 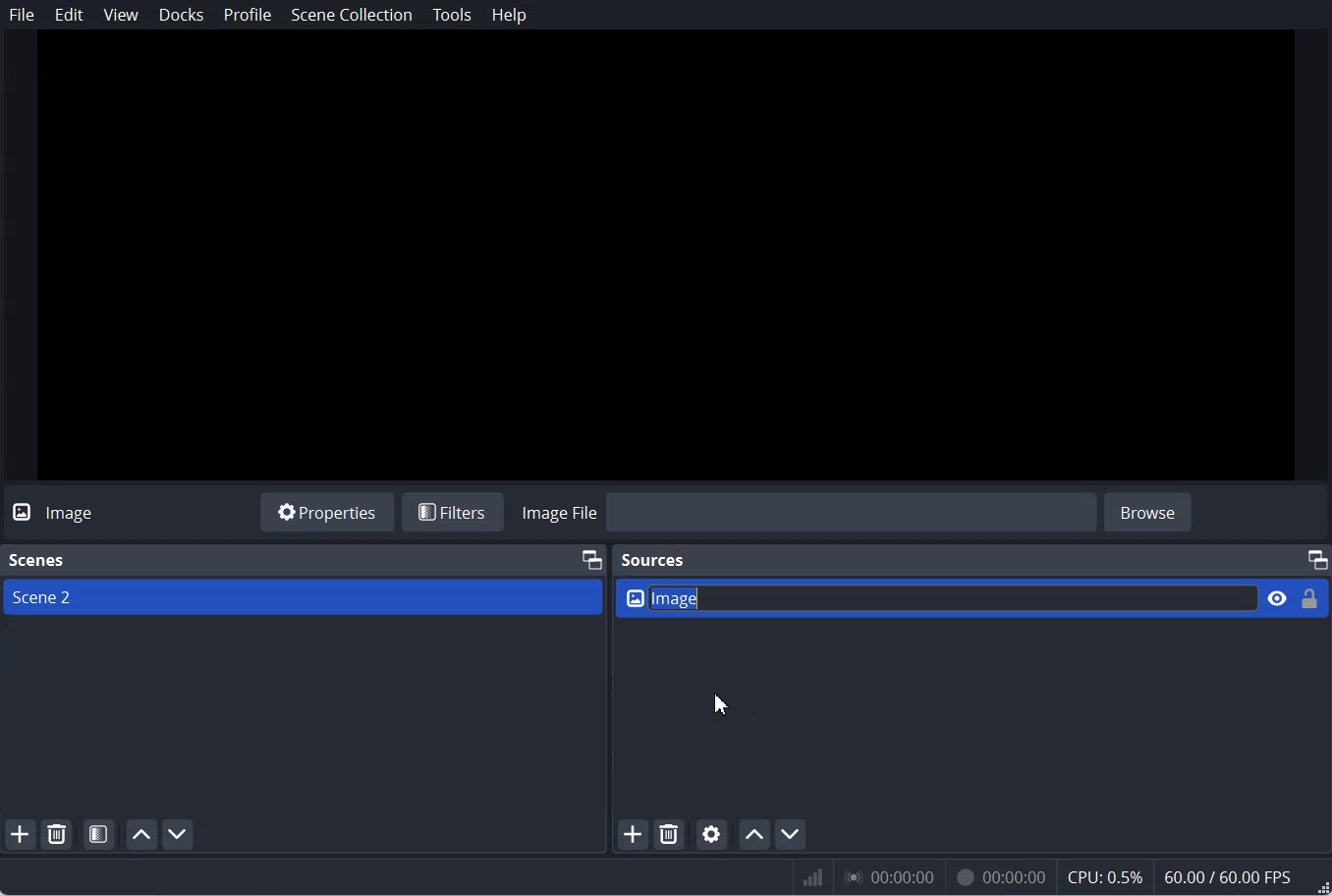 What do you see at coordinates (70, 15) in the screenshot?
I see `Edit` at bounding box center [70, 15].